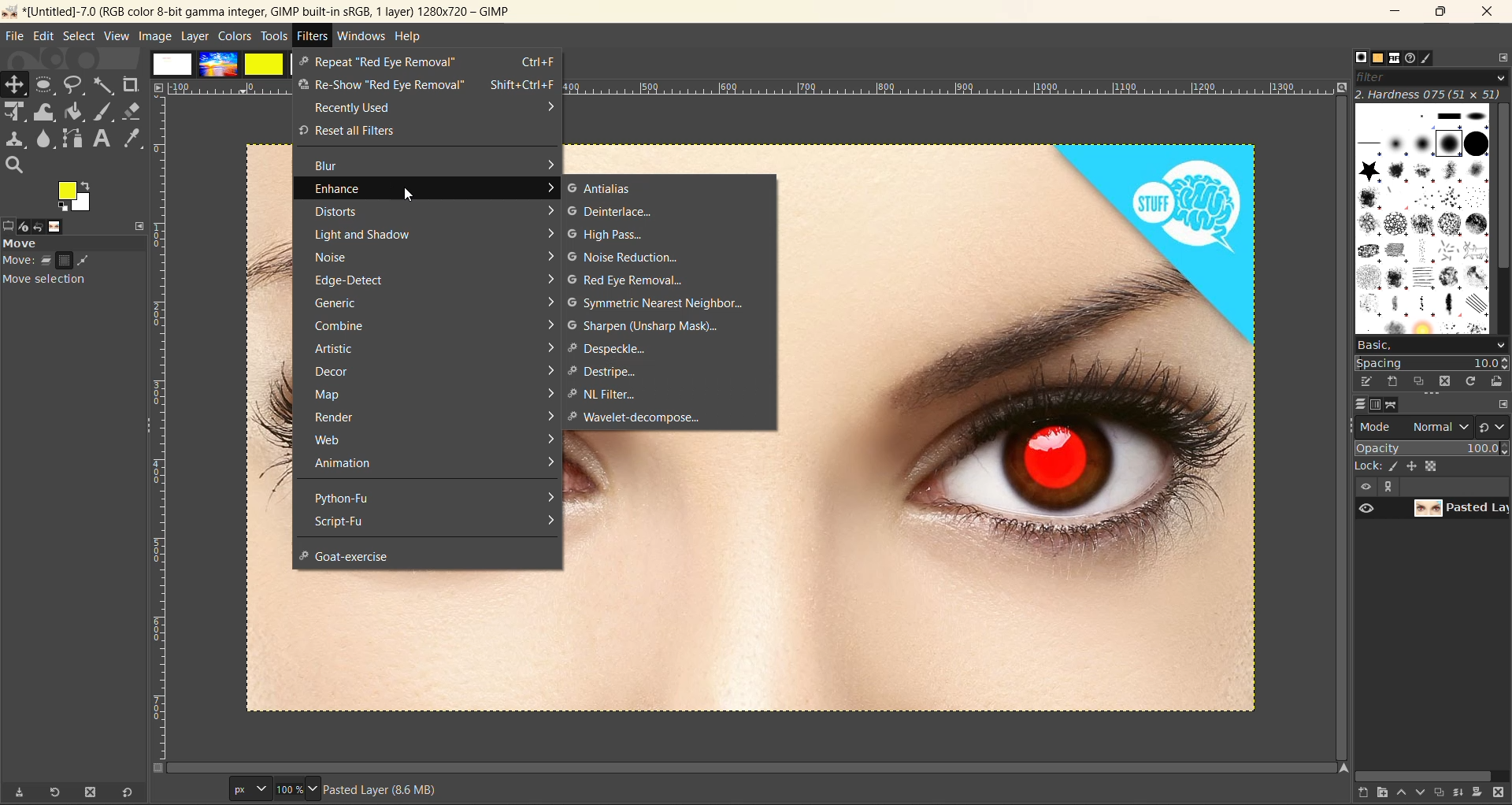  I want to click on patterns , so click(1370, 57).